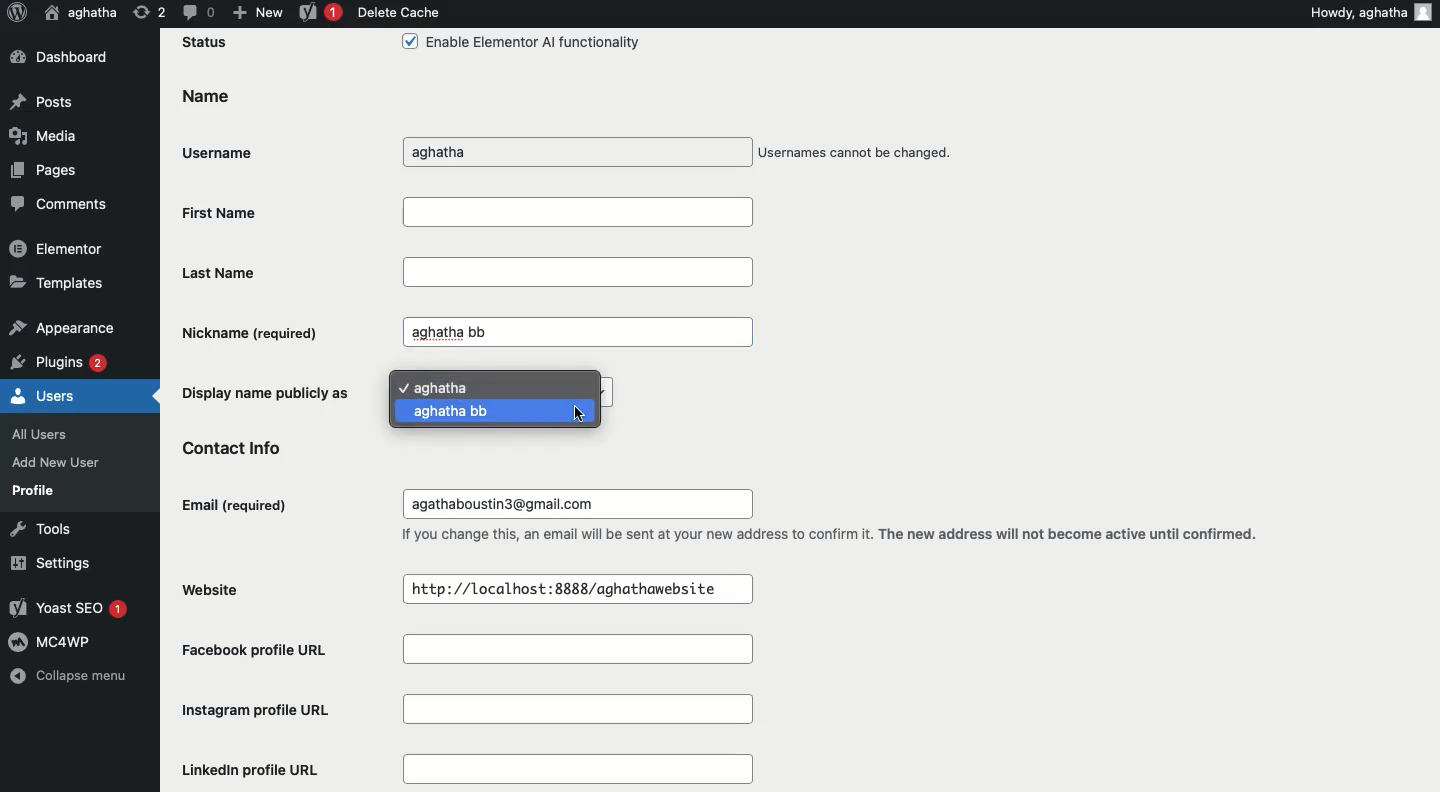 The height and width of the screenshot is (792, 1440). I want to click on Delete cache, so click(398, 12).